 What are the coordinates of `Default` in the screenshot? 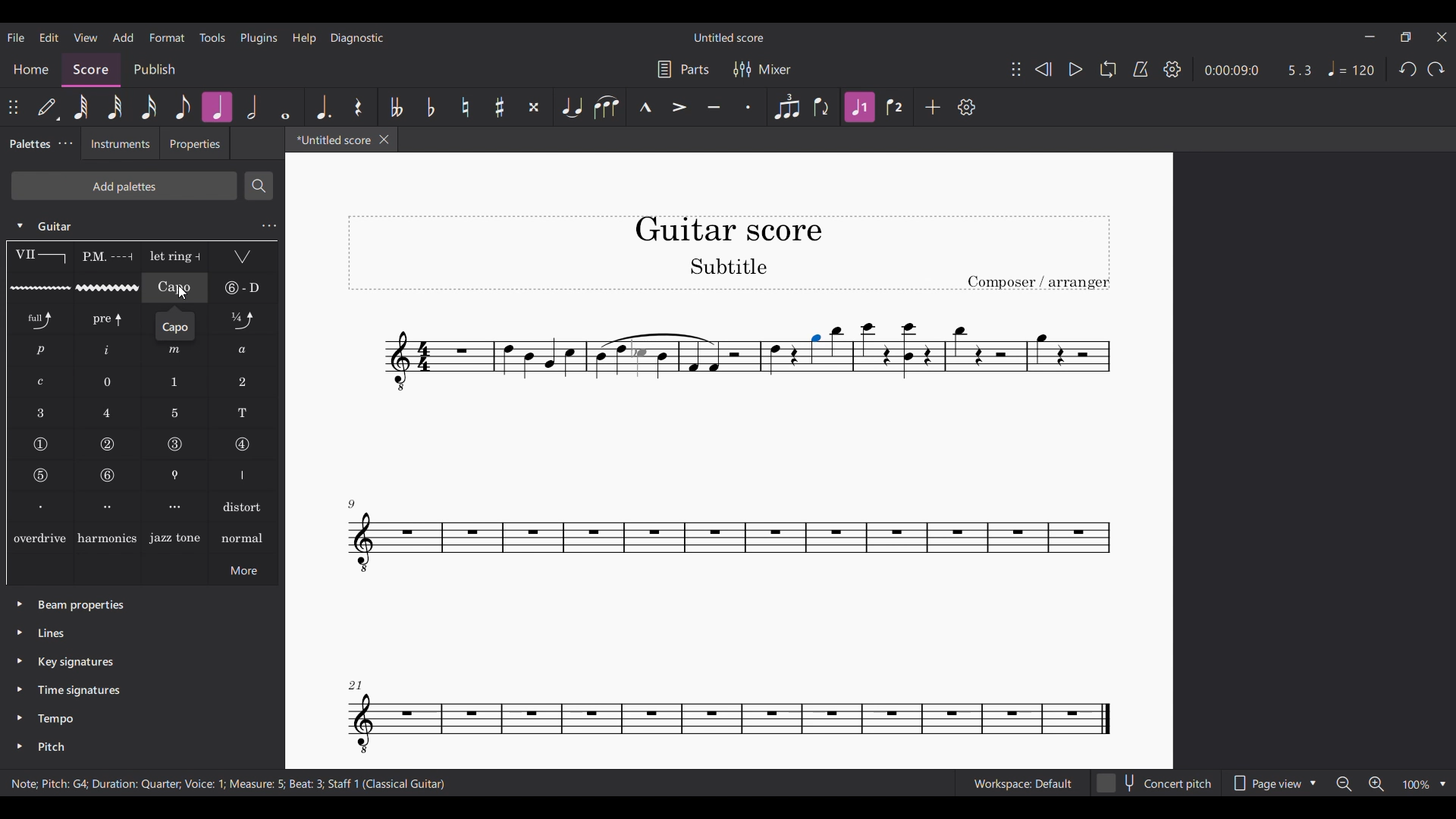 It's located at (49, 108).